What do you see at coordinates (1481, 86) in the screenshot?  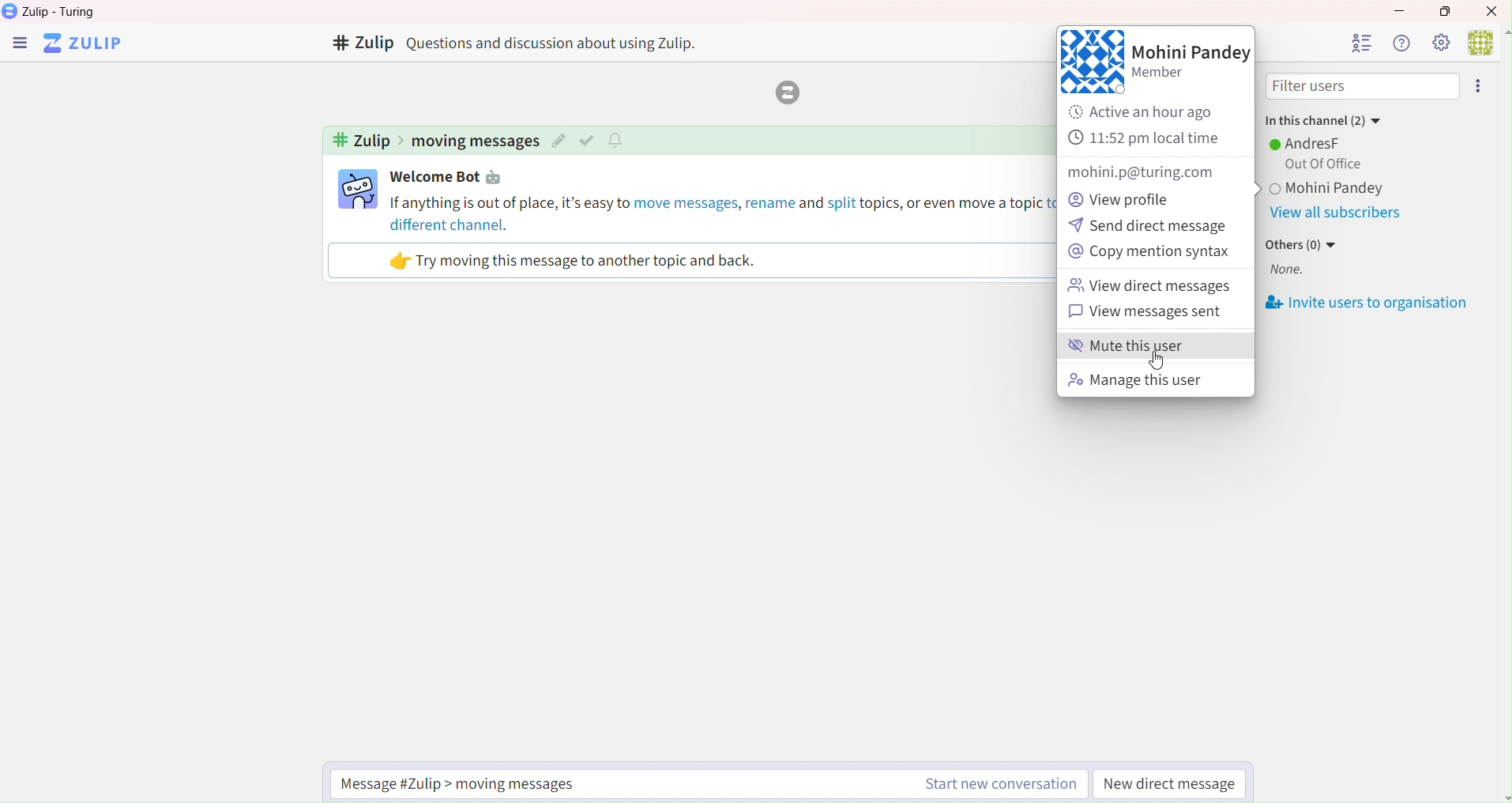 I see `menu` at bounding box center [1481, 86].